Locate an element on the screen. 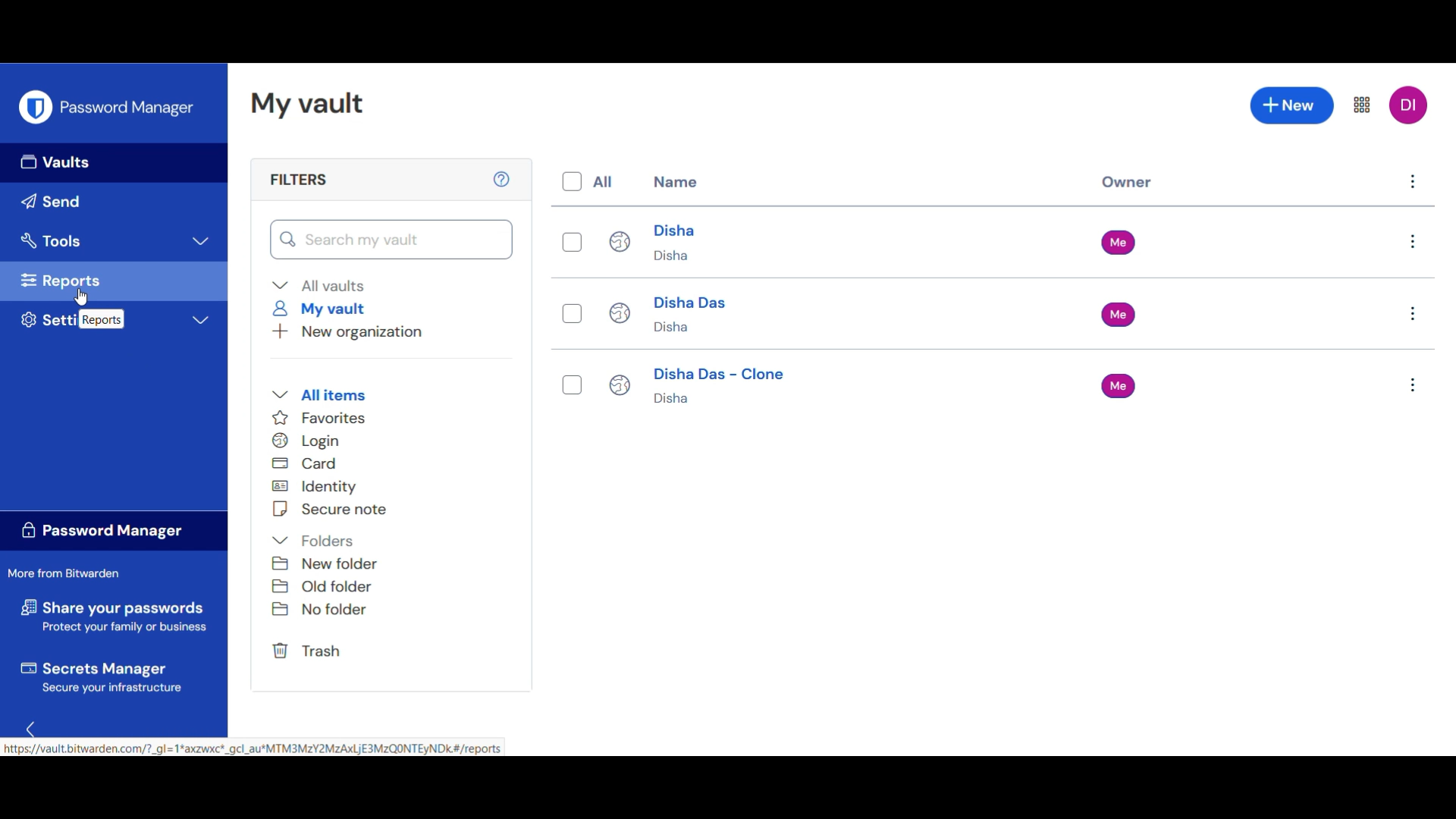 The width and height of the screenshot is (1456, 819). New organization is located at coordinates (347, 332).